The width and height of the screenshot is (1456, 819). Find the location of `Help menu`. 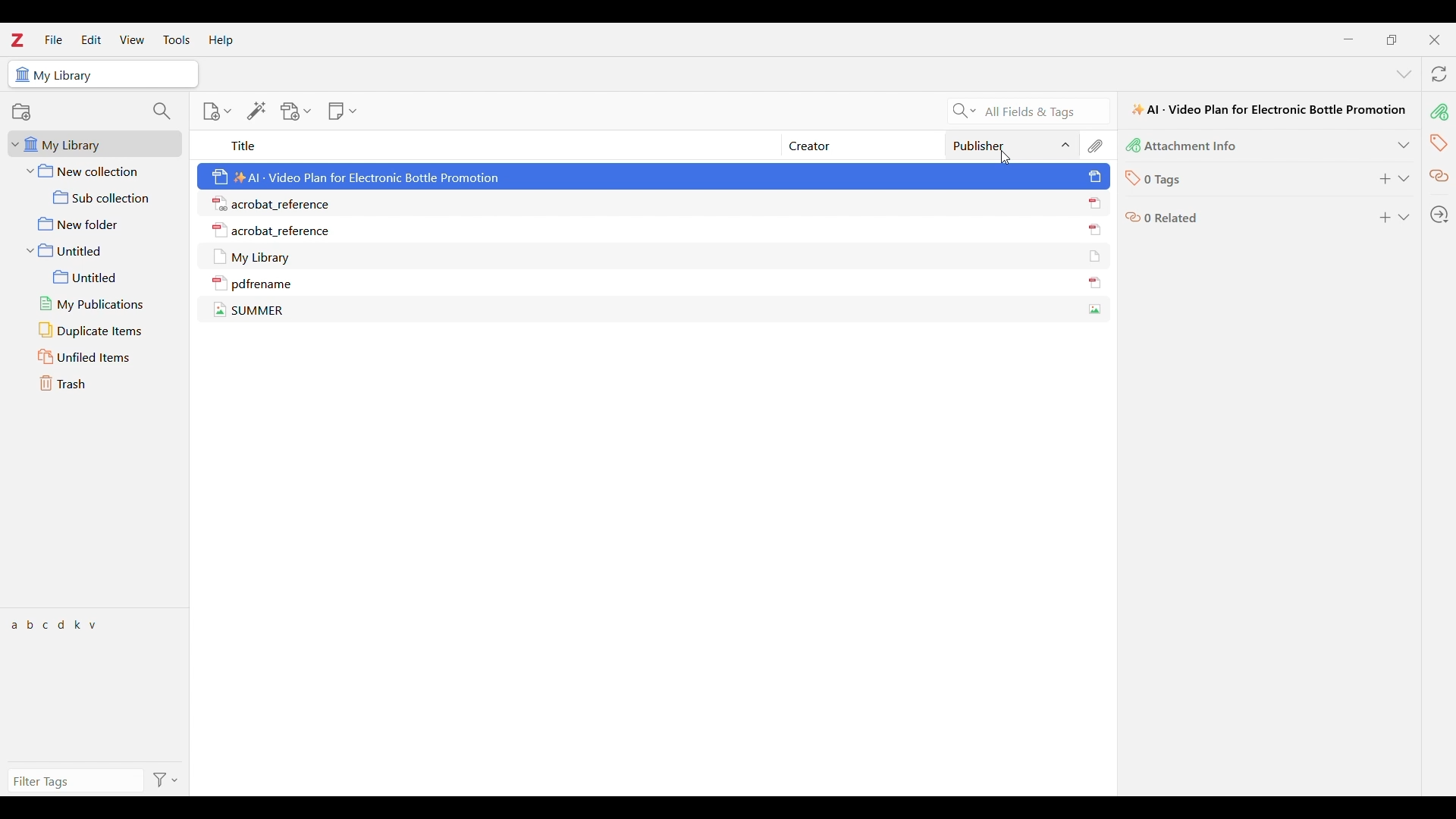

Help menu is located at coordinates (221, 41).